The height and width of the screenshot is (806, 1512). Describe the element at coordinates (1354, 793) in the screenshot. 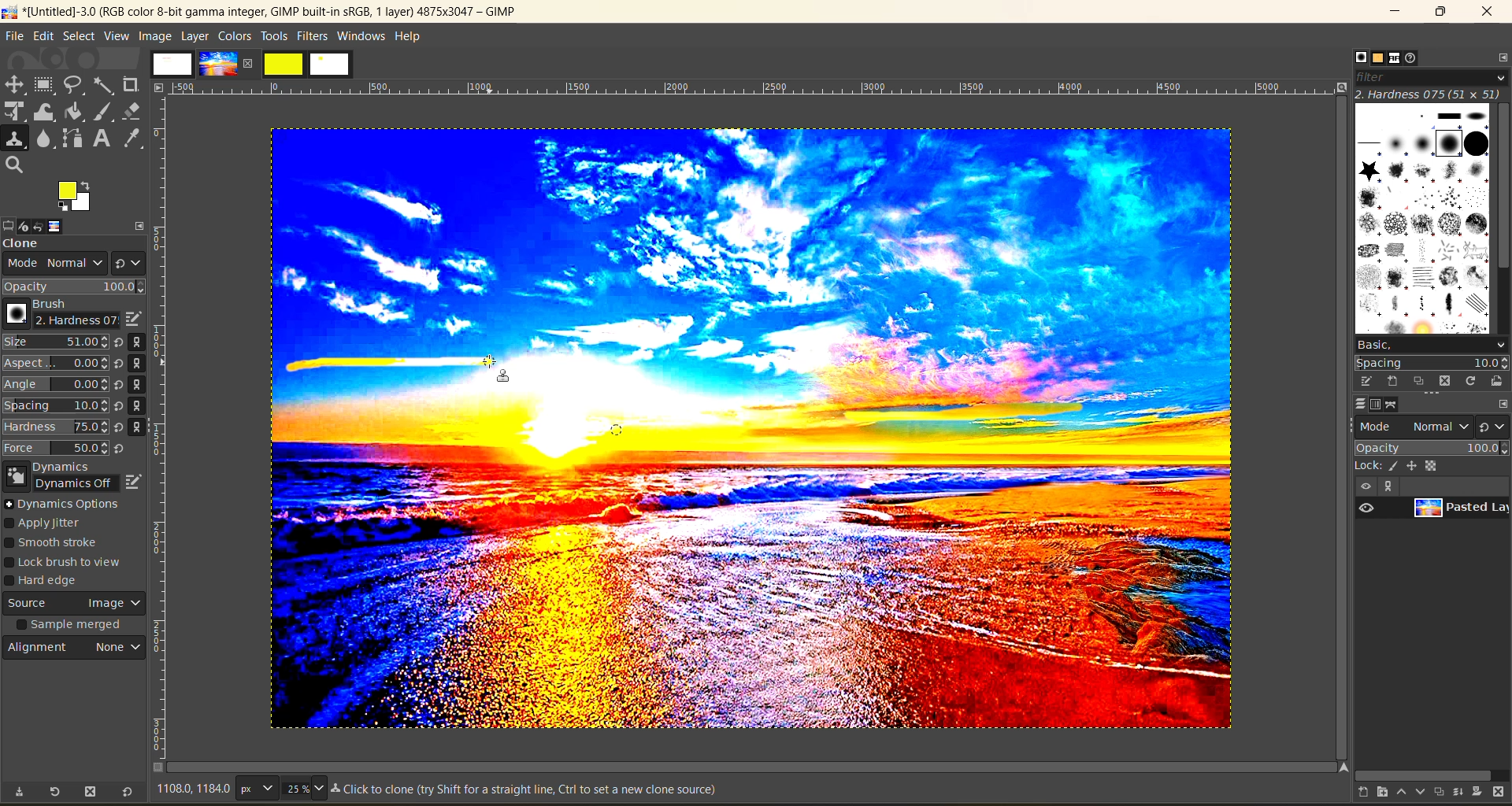

I see `create a new layer` at that location.